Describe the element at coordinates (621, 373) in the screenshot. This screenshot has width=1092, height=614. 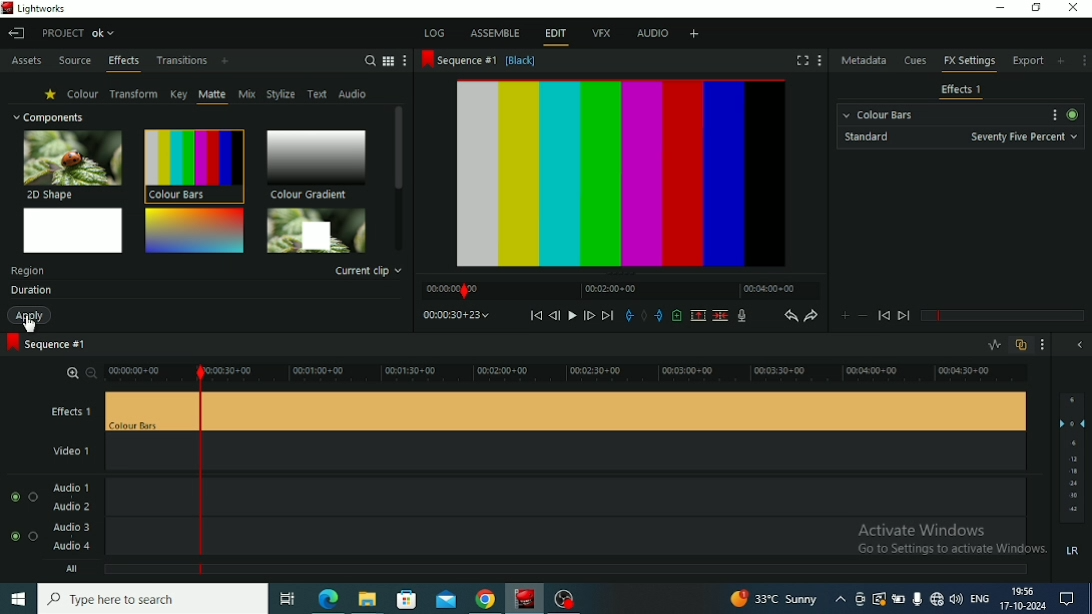
I see `Slider` at that location.